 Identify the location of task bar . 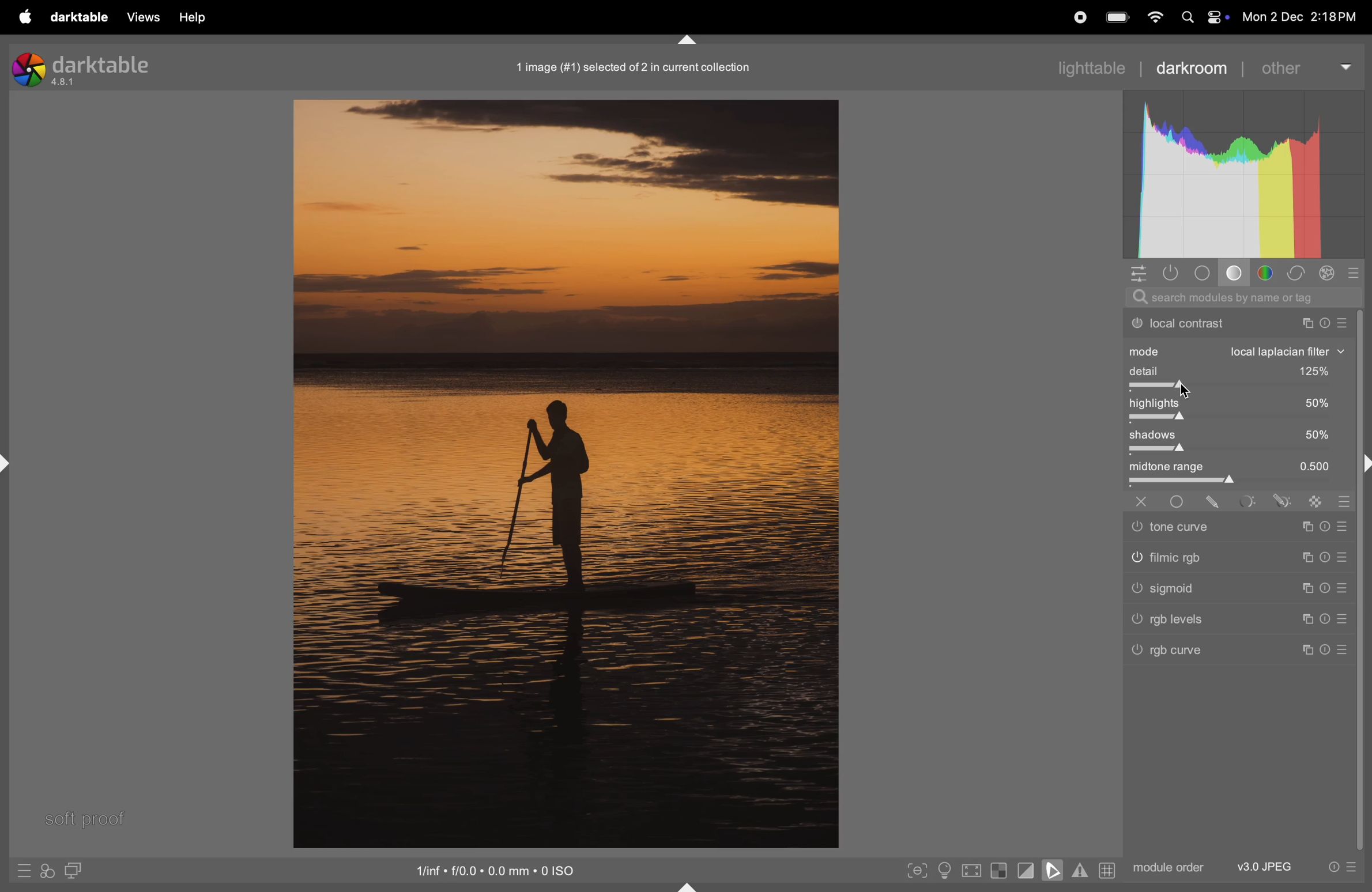
(1363, 582).